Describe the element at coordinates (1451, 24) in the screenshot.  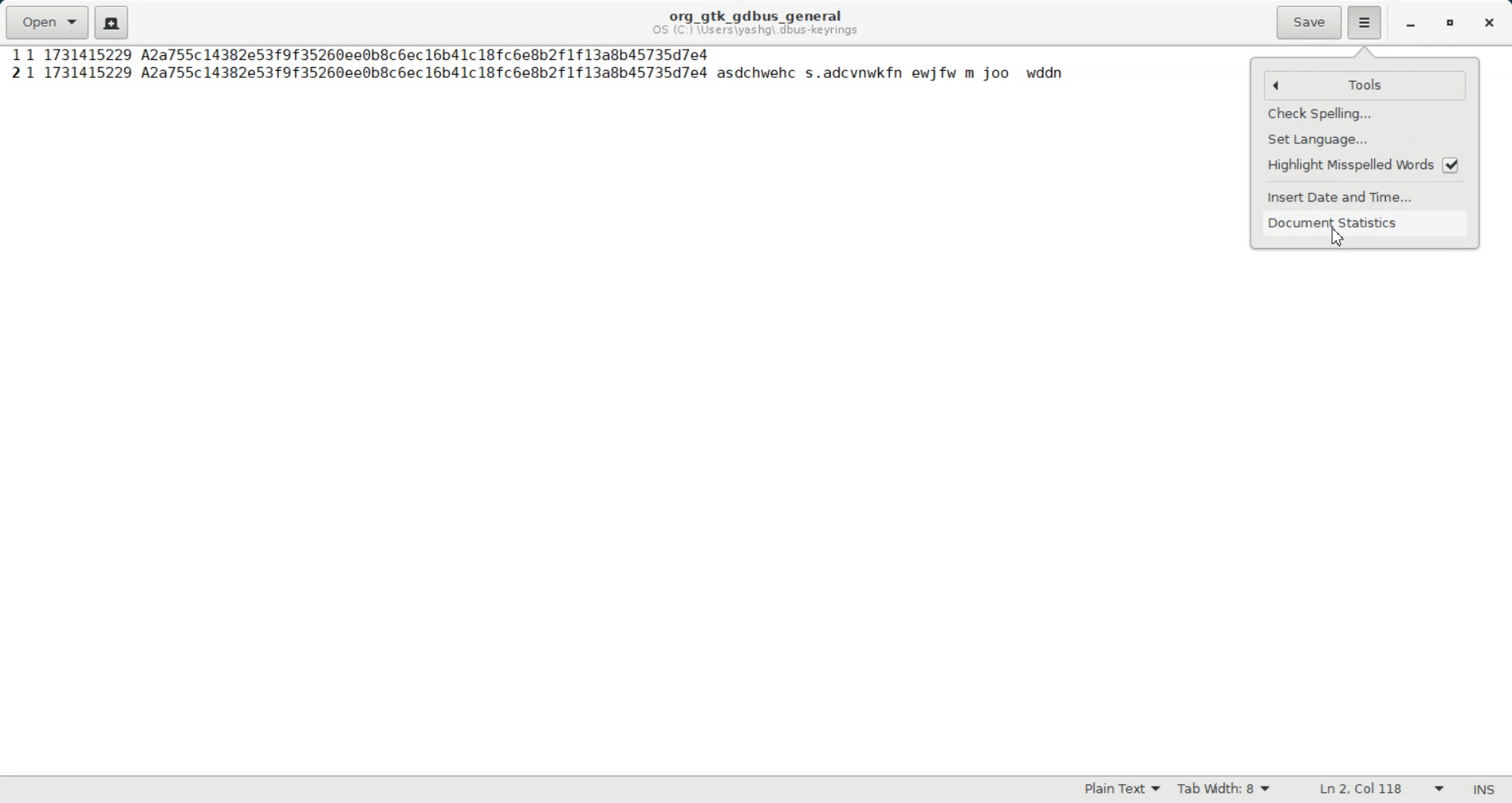
I see `Maximize` at that location.